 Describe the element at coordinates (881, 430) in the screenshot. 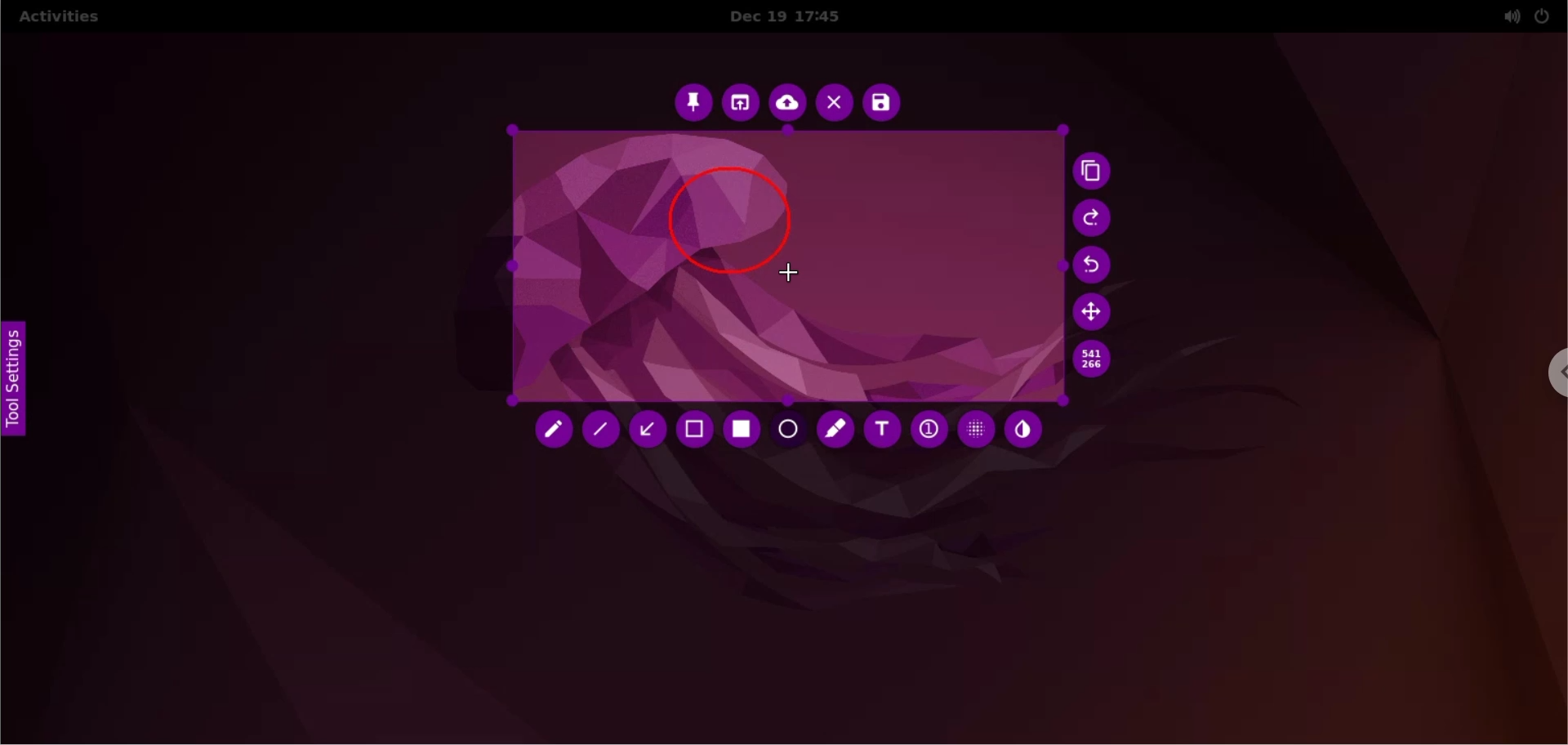

I see `text tool` at that location.